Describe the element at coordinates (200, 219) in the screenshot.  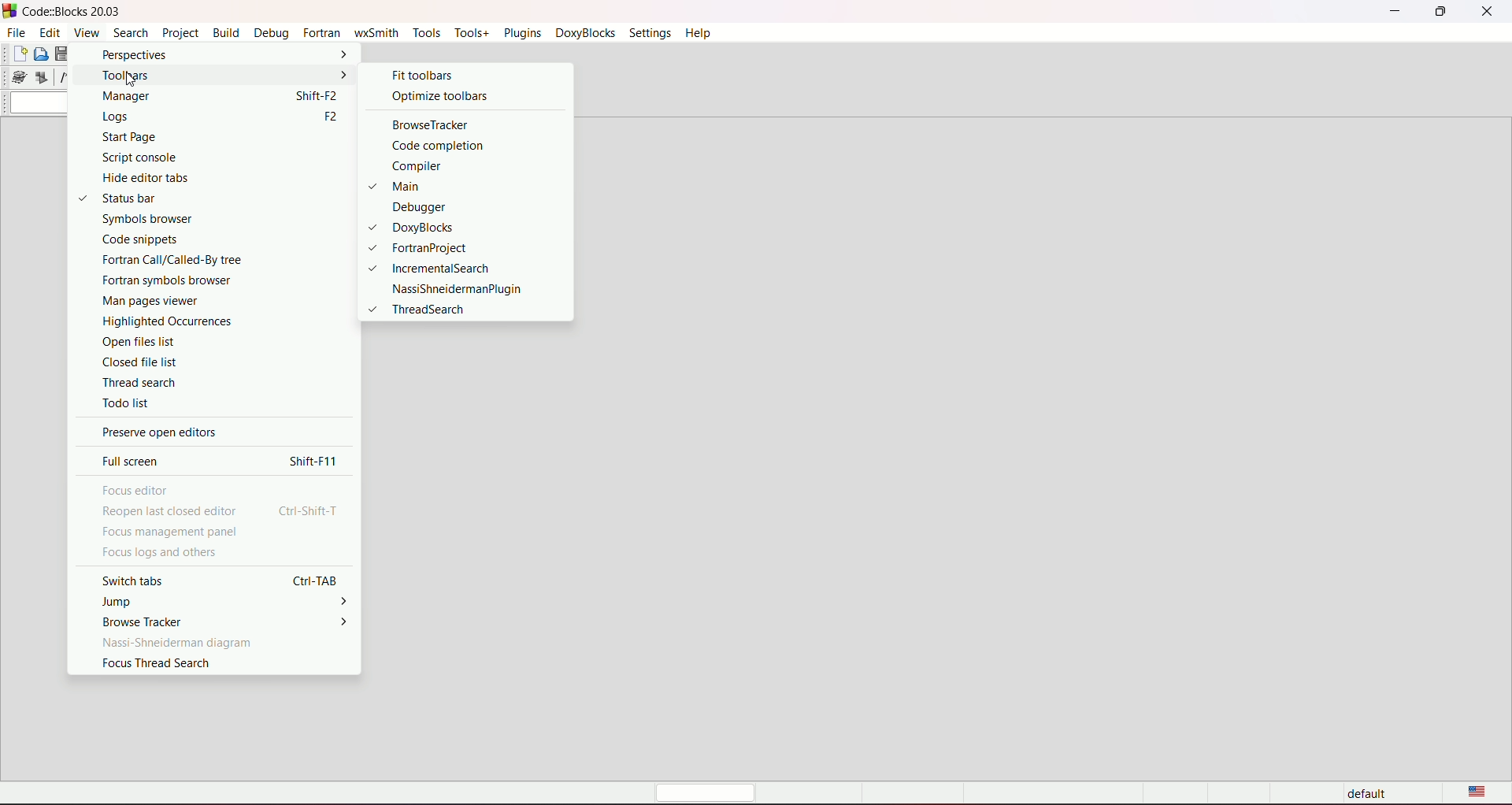
I see `symbols browser` at that location.